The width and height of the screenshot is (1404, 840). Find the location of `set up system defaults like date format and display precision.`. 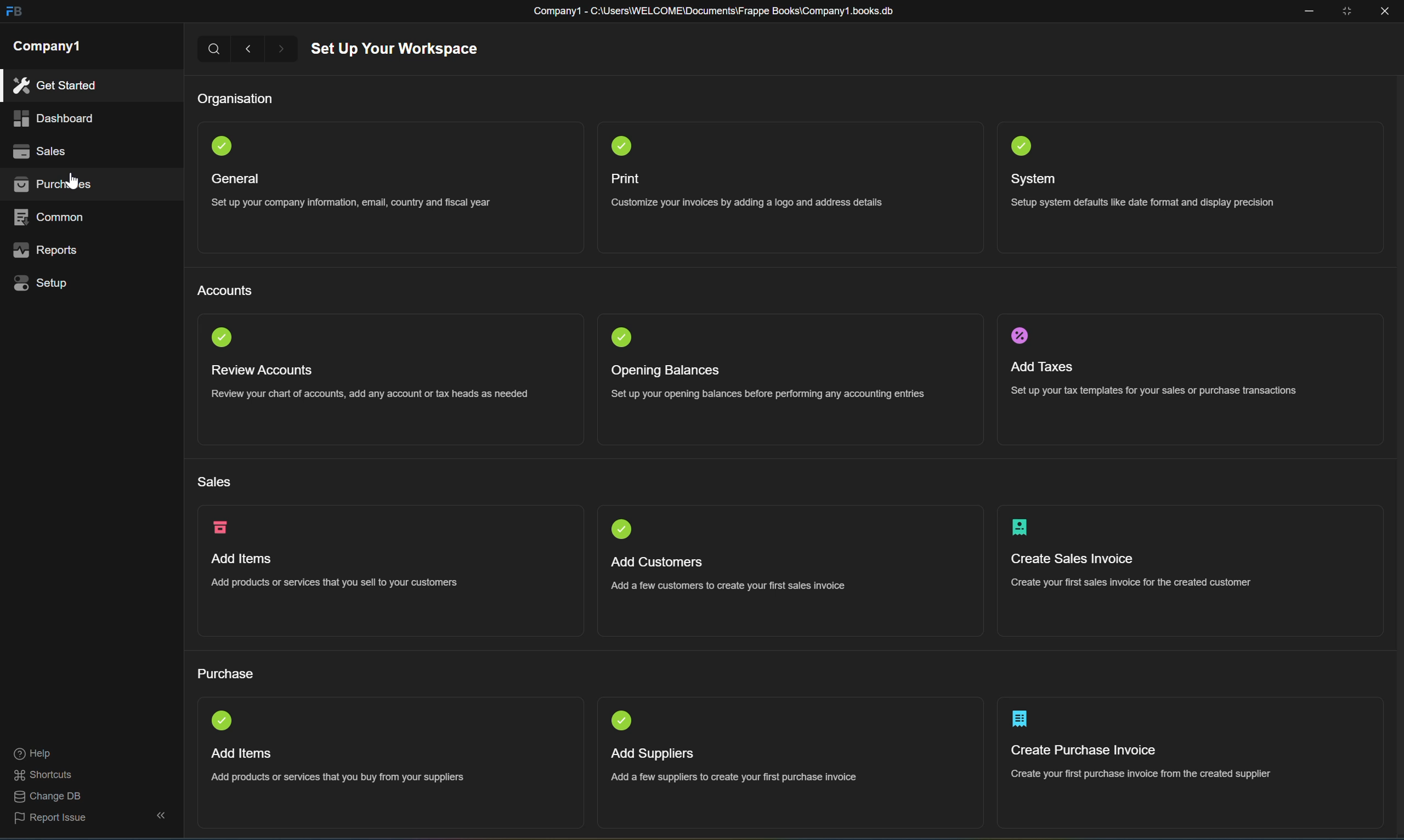

set up system defaults like date format and display precision. is located at coordinates (1148, 204).